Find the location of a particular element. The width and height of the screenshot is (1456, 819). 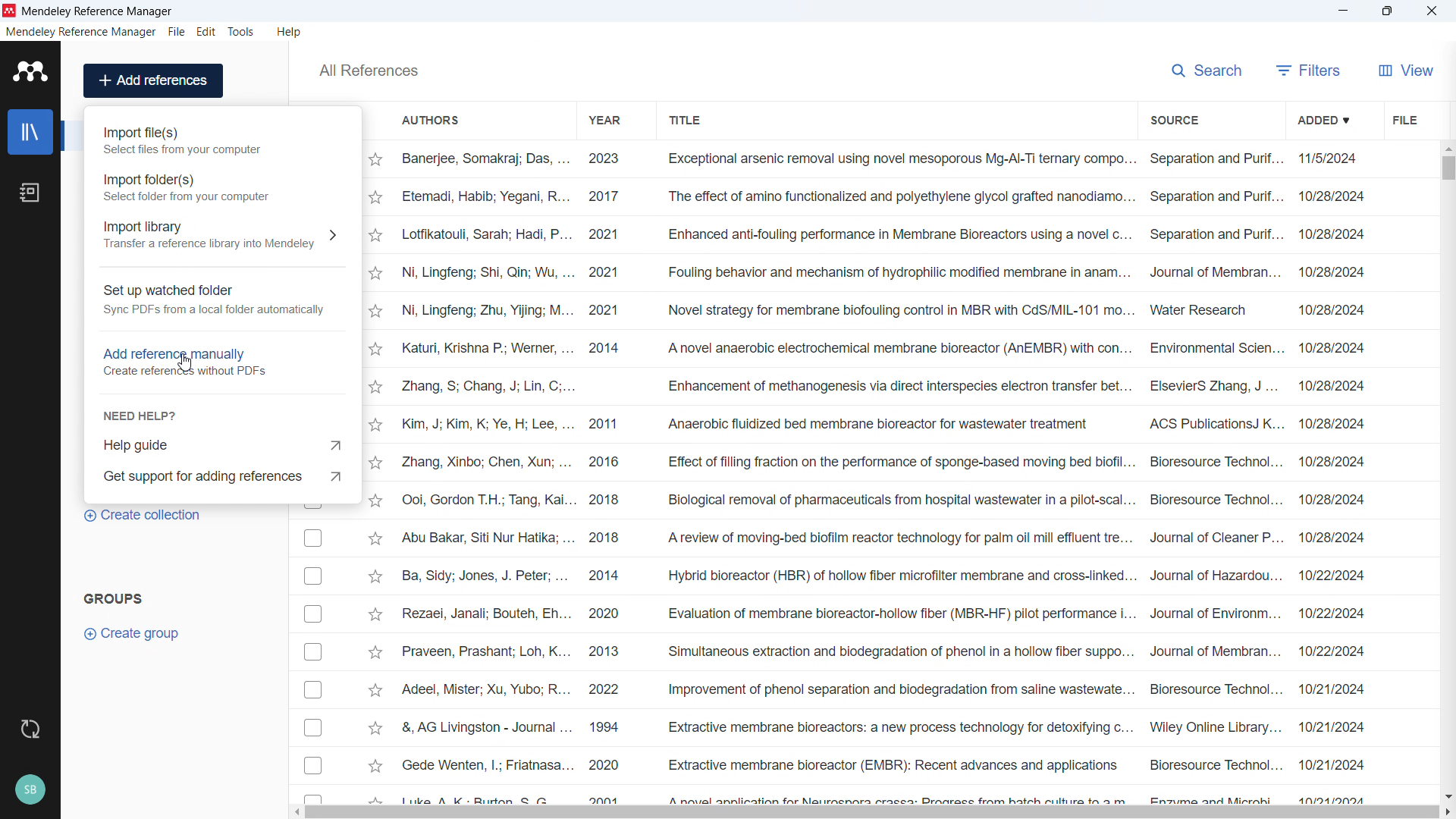

Import files  is located at coordinates (222, 140).